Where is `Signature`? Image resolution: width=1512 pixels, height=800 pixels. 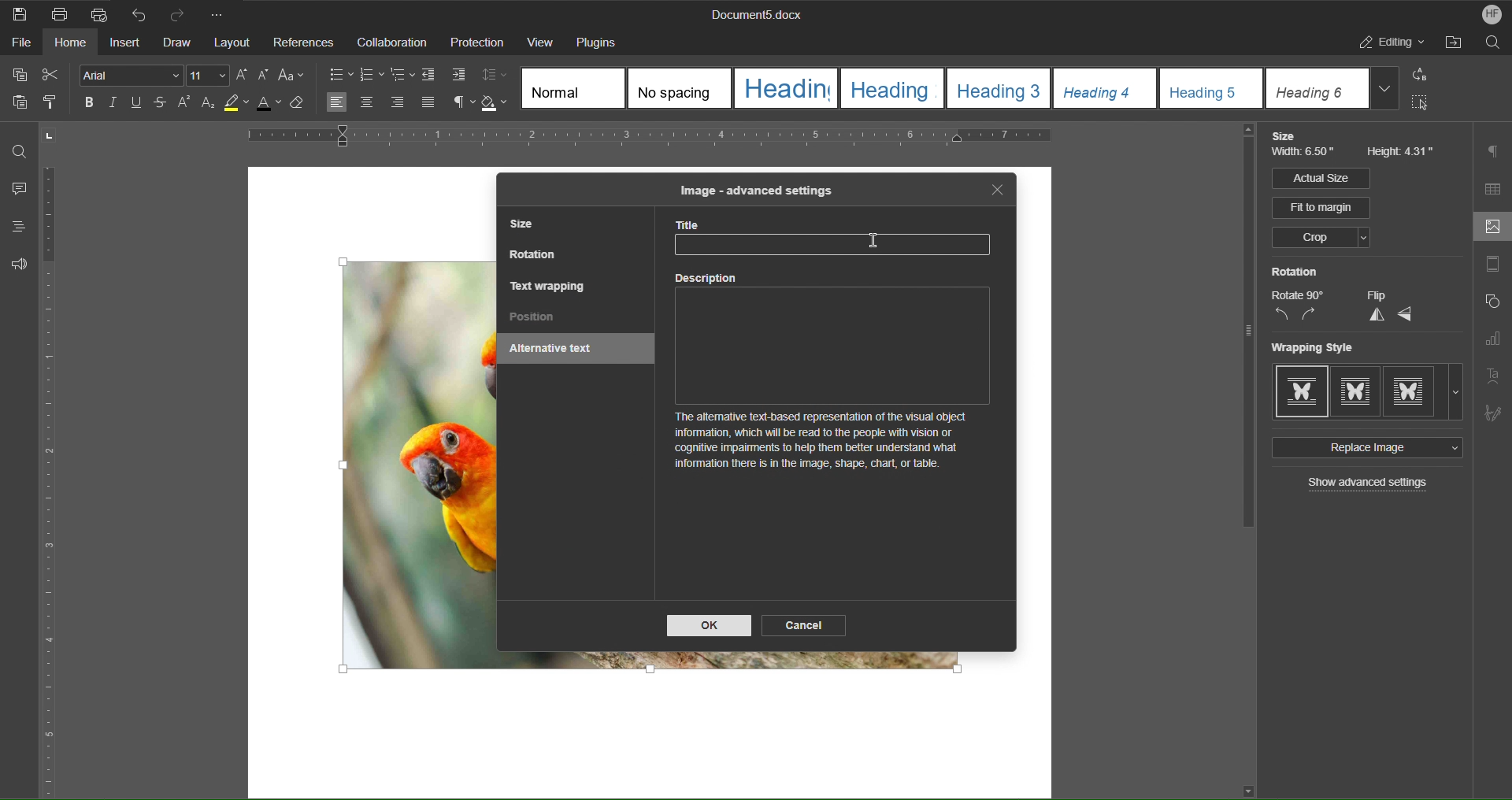
Signature is located at coordinates (1493, 409).